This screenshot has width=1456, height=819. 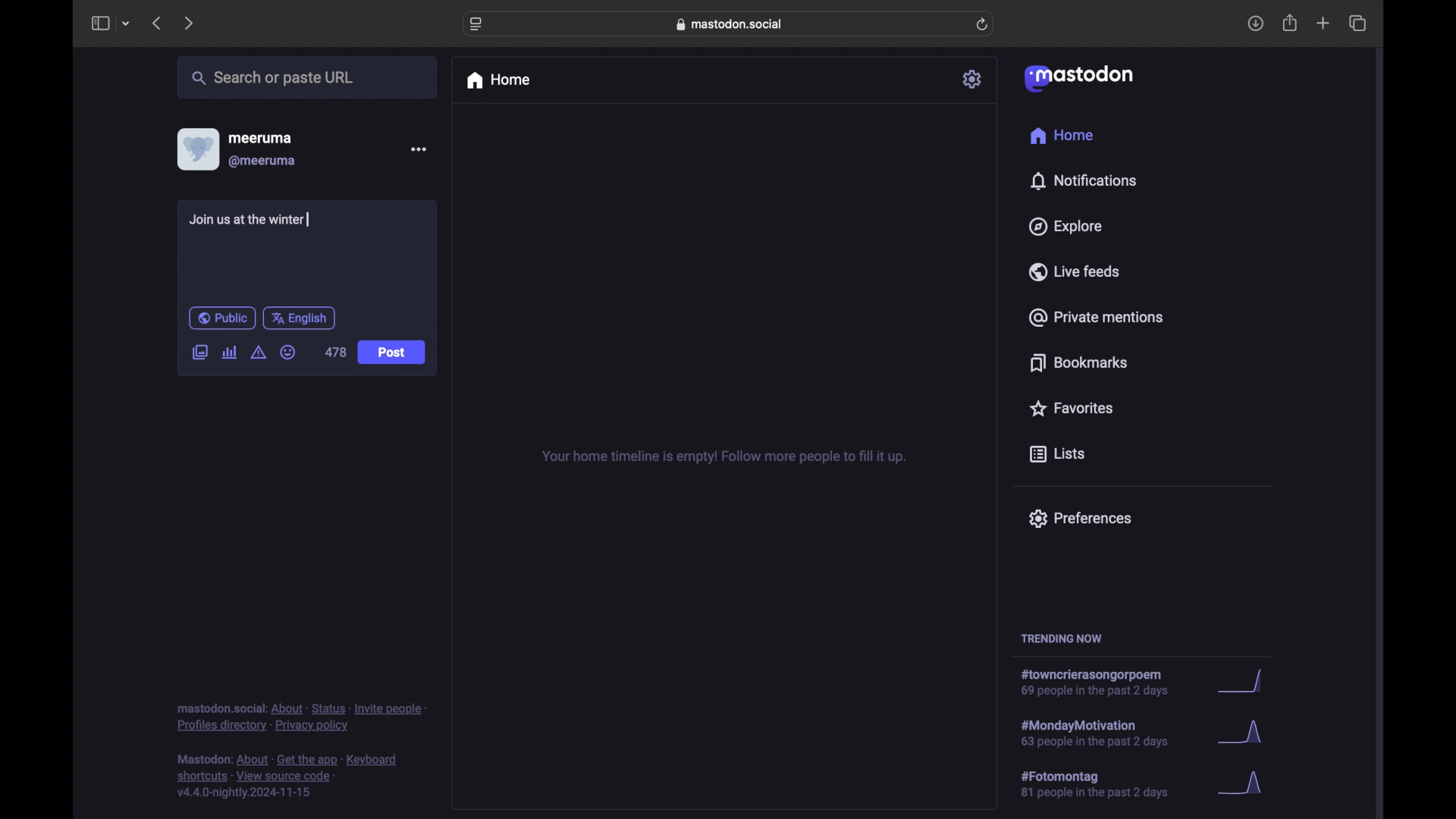 What do you see at coordinates (1075, 271) in the screenshot?
I see `live feeds` at bounding box center [1075, 271].